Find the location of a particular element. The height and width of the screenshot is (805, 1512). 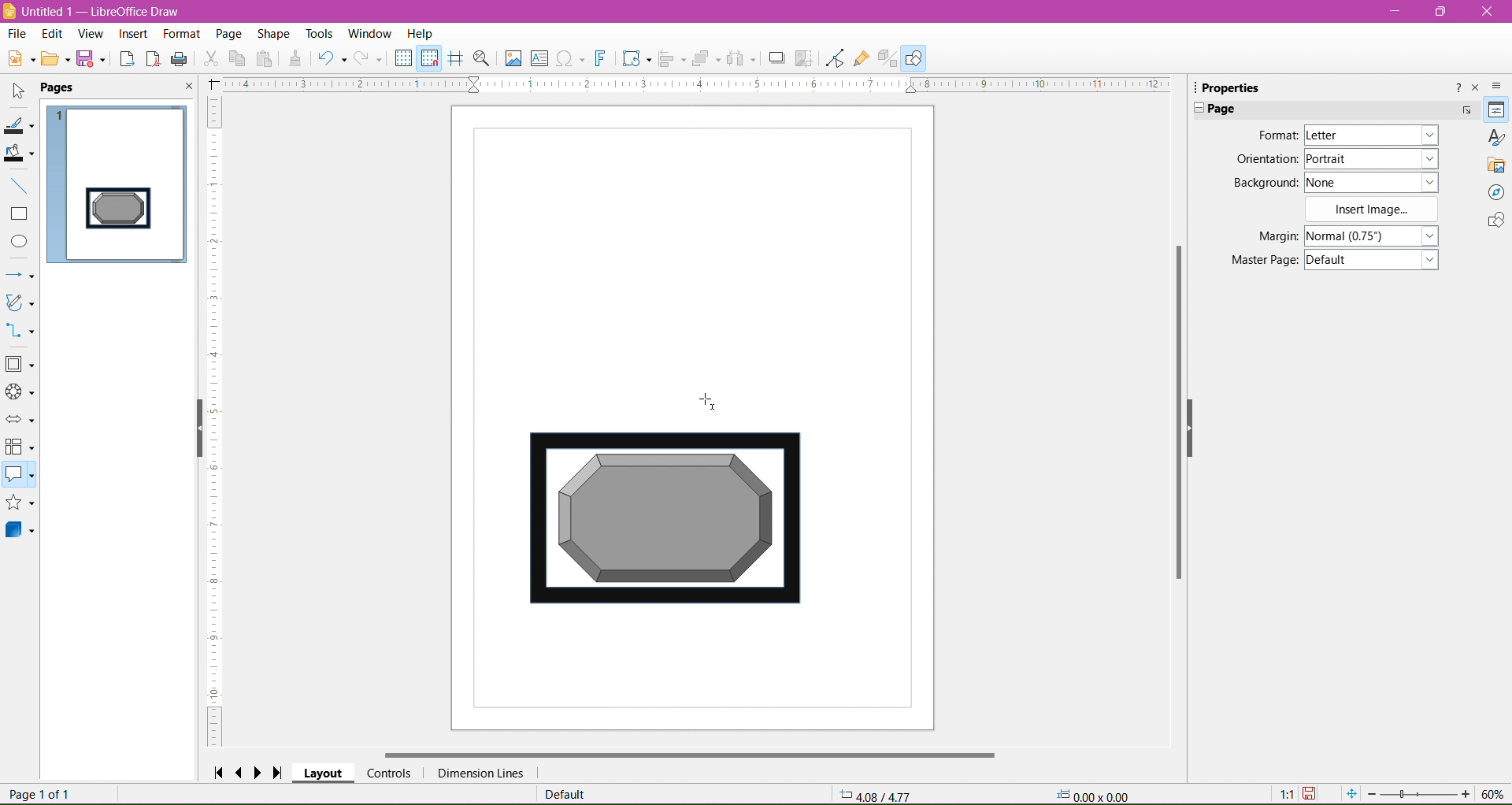

Select master page is located at coordinates (1375, 260).